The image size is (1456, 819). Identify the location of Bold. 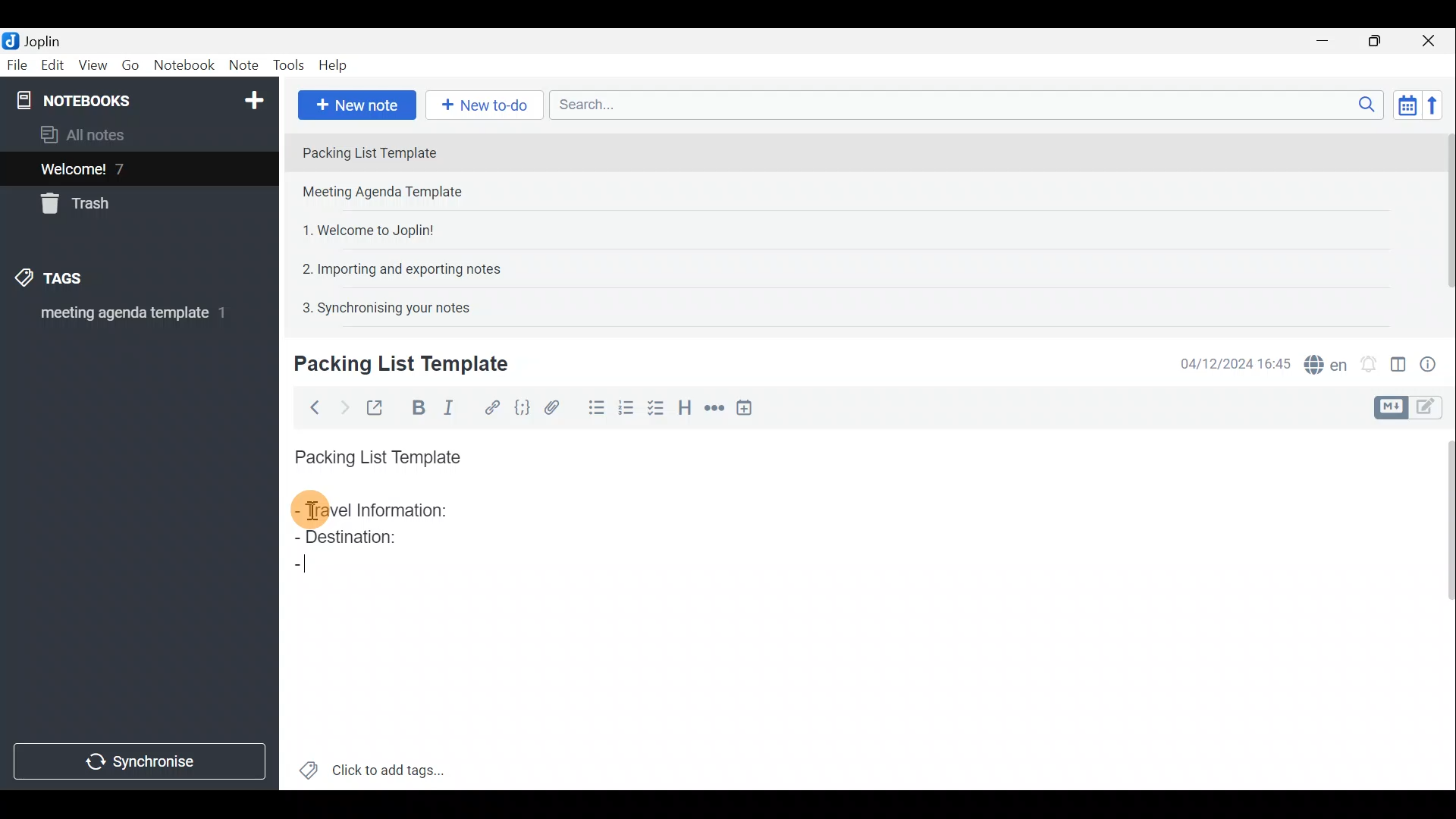
(416, 406).